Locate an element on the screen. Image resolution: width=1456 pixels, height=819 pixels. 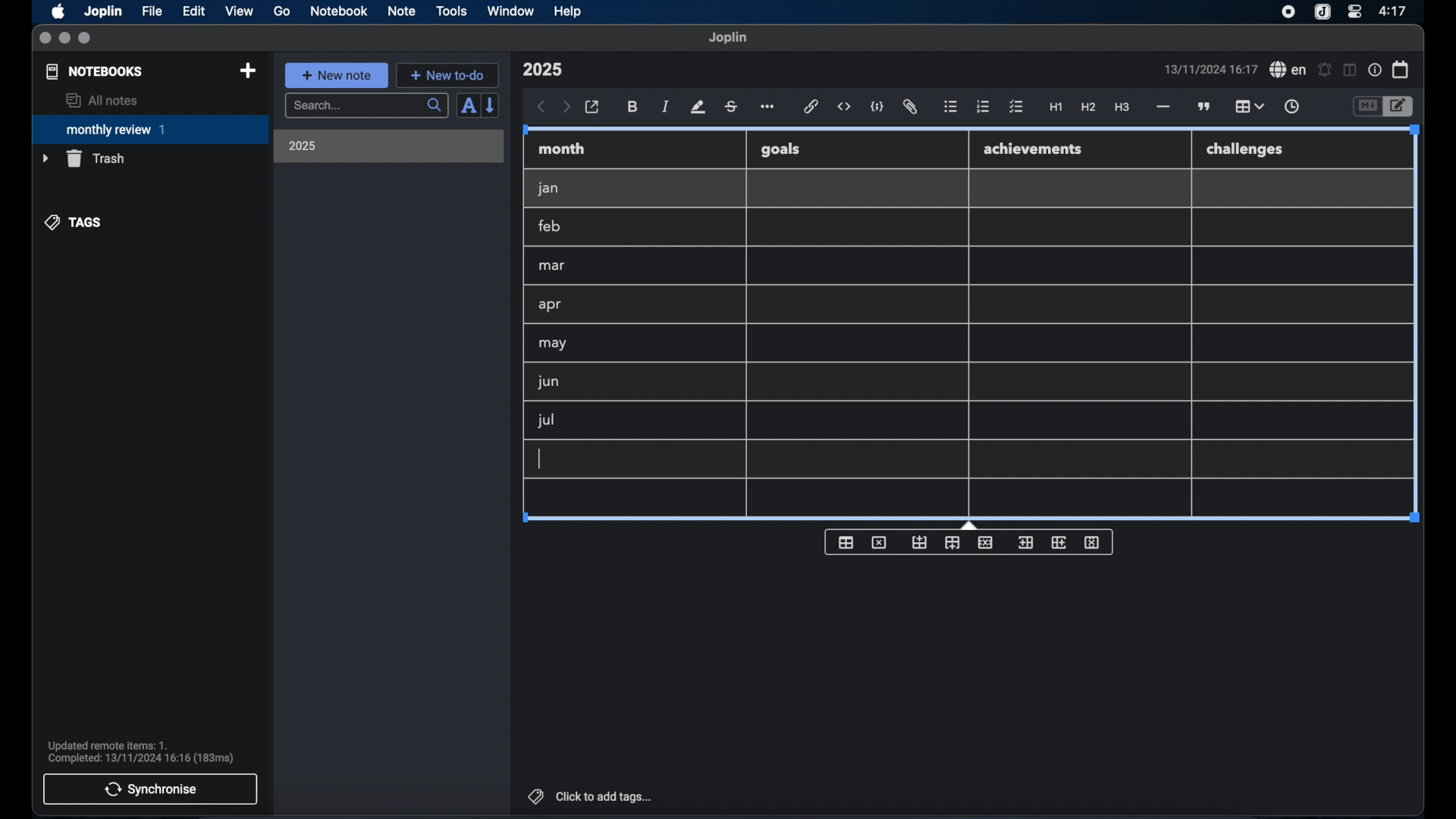
control center is located at coordinates (1354, 11).